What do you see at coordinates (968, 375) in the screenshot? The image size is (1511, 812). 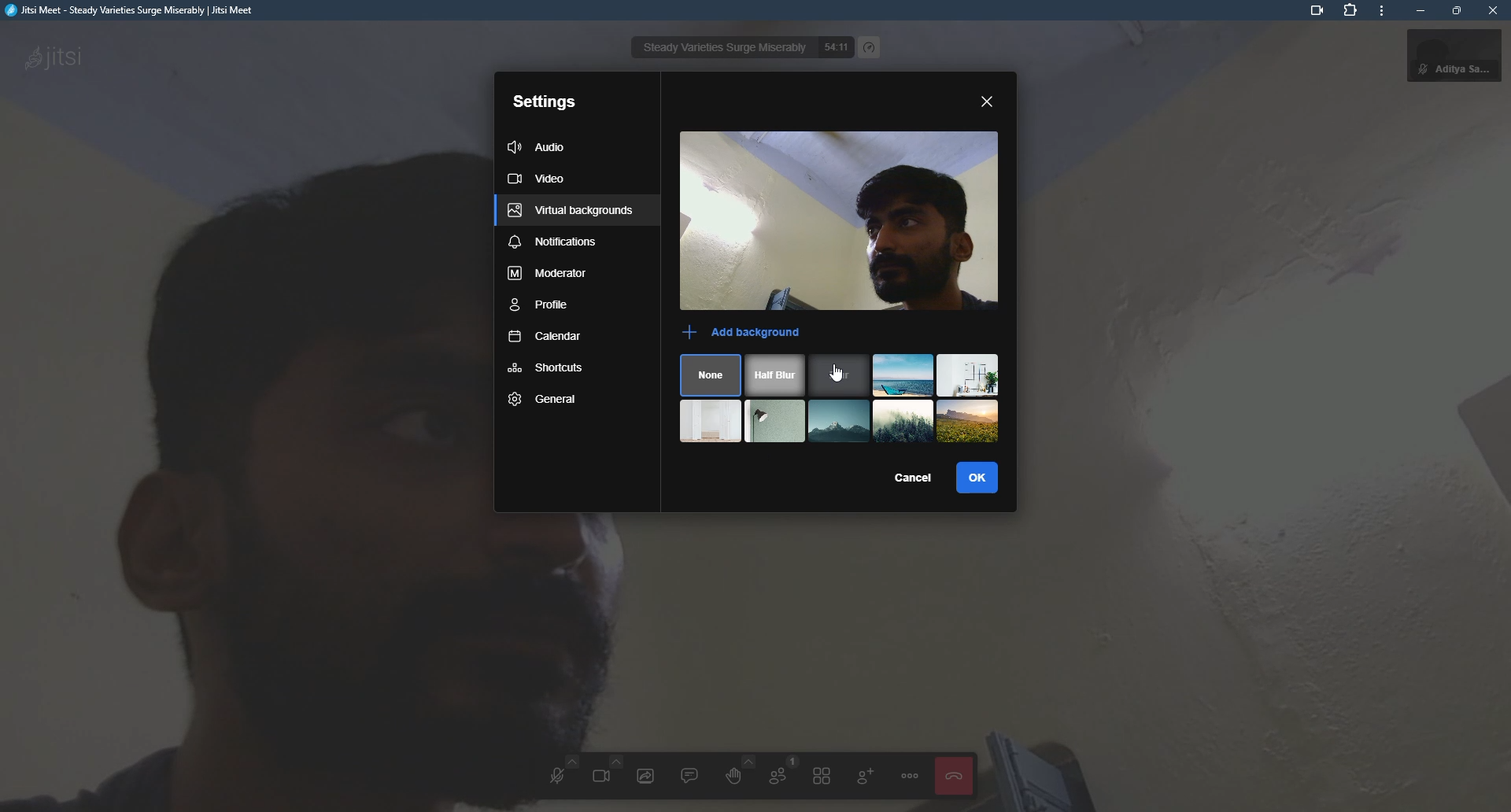 I see `scenery` at bounding box center [968, 375].